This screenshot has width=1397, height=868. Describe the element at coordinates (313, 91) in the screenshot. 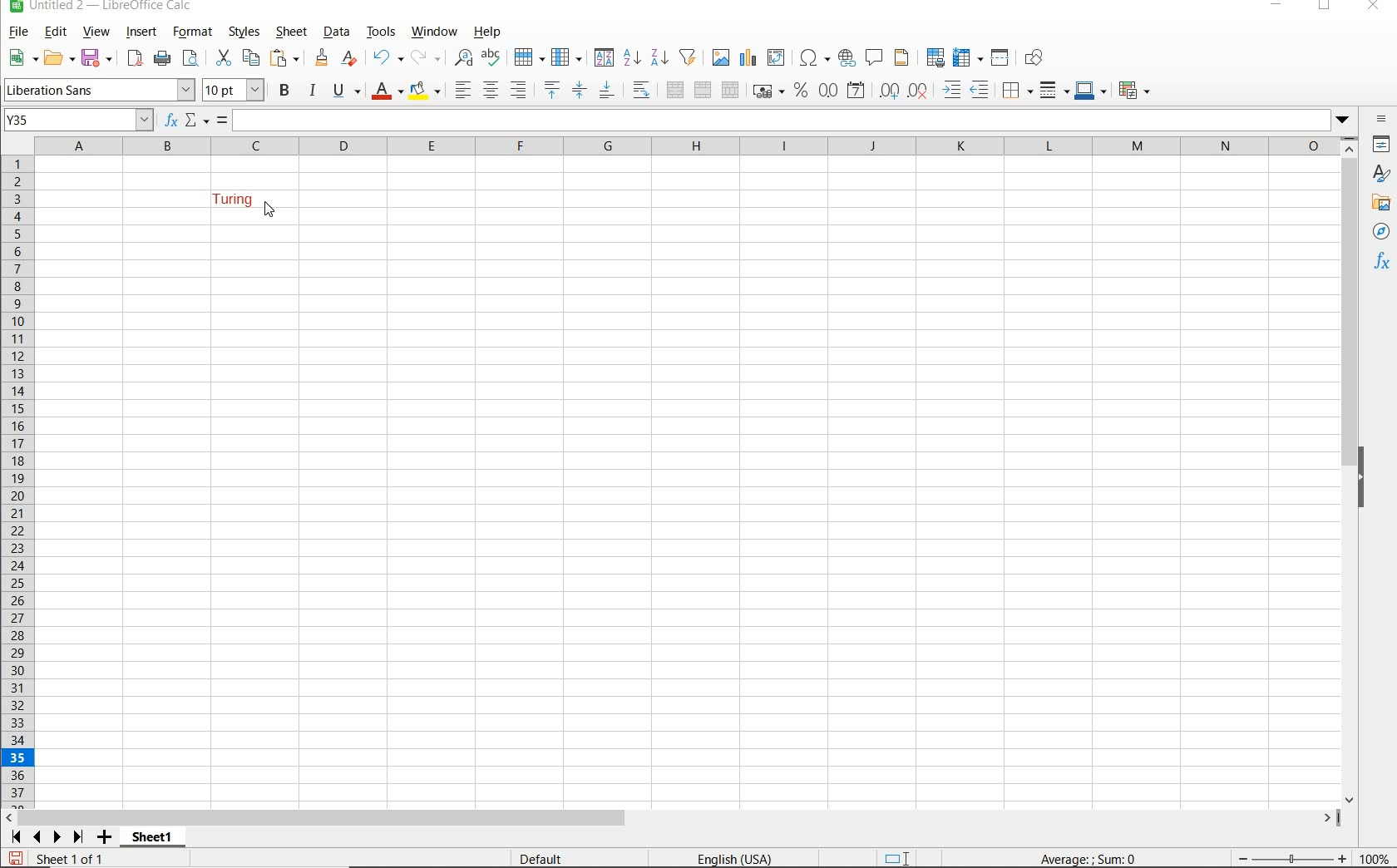

I see `ITALIC` at that location.